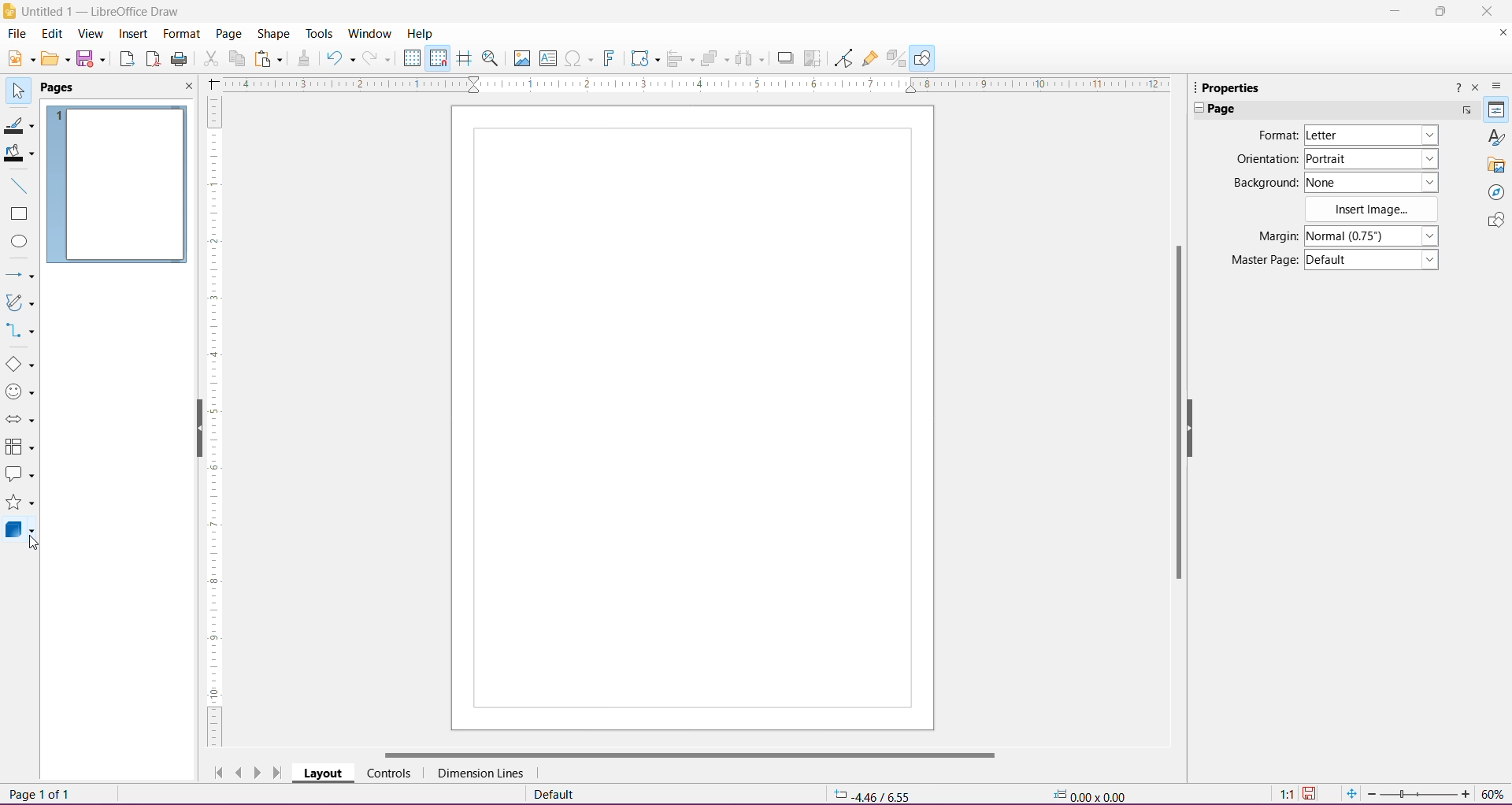 The height and width of the screenshot is (805, 1512). I want to click on Format, so click(180, 35).